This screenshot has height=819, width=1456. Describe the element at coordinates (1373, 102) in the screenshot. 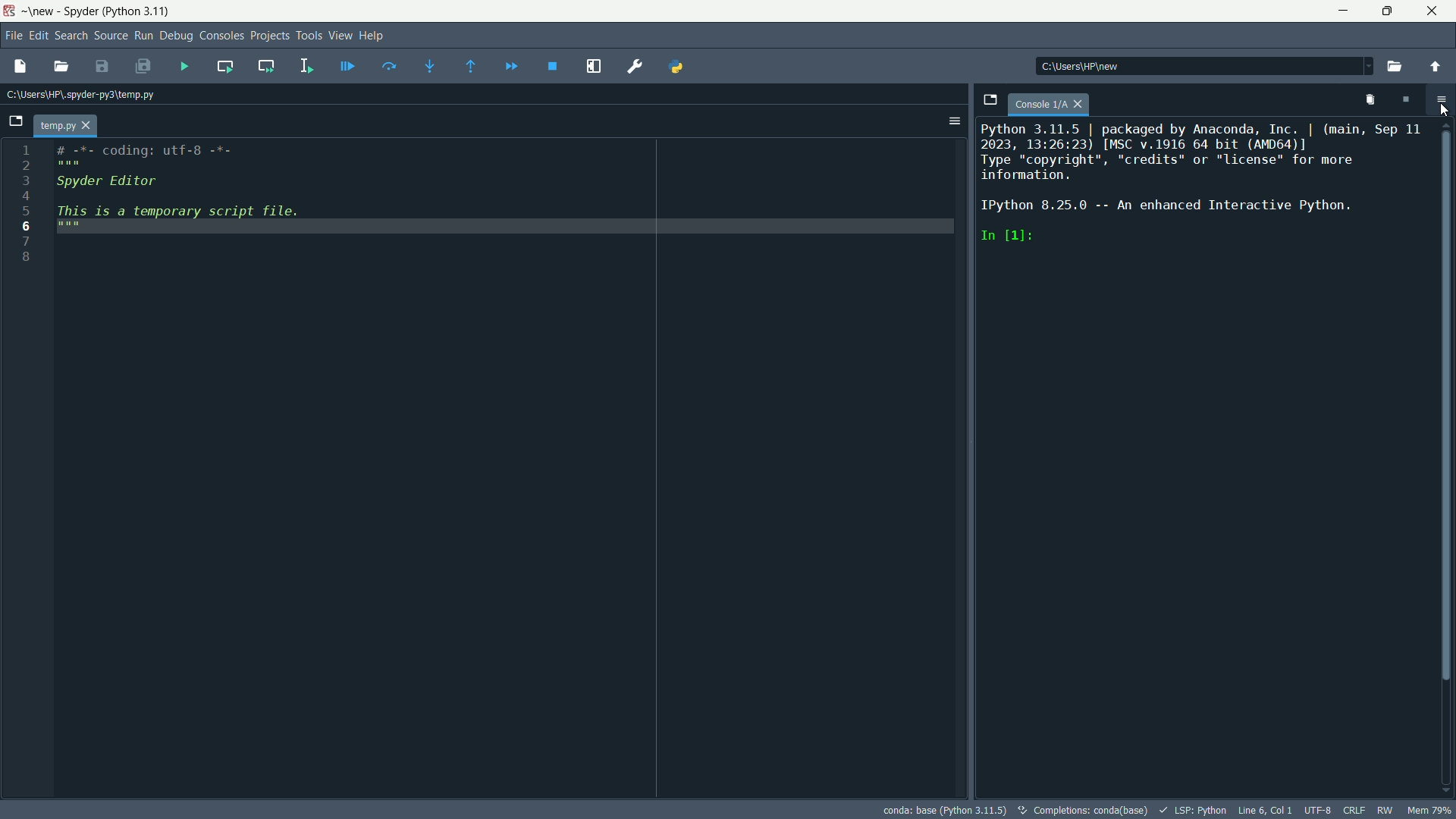

I see `remove all variables from namespace` at that location.